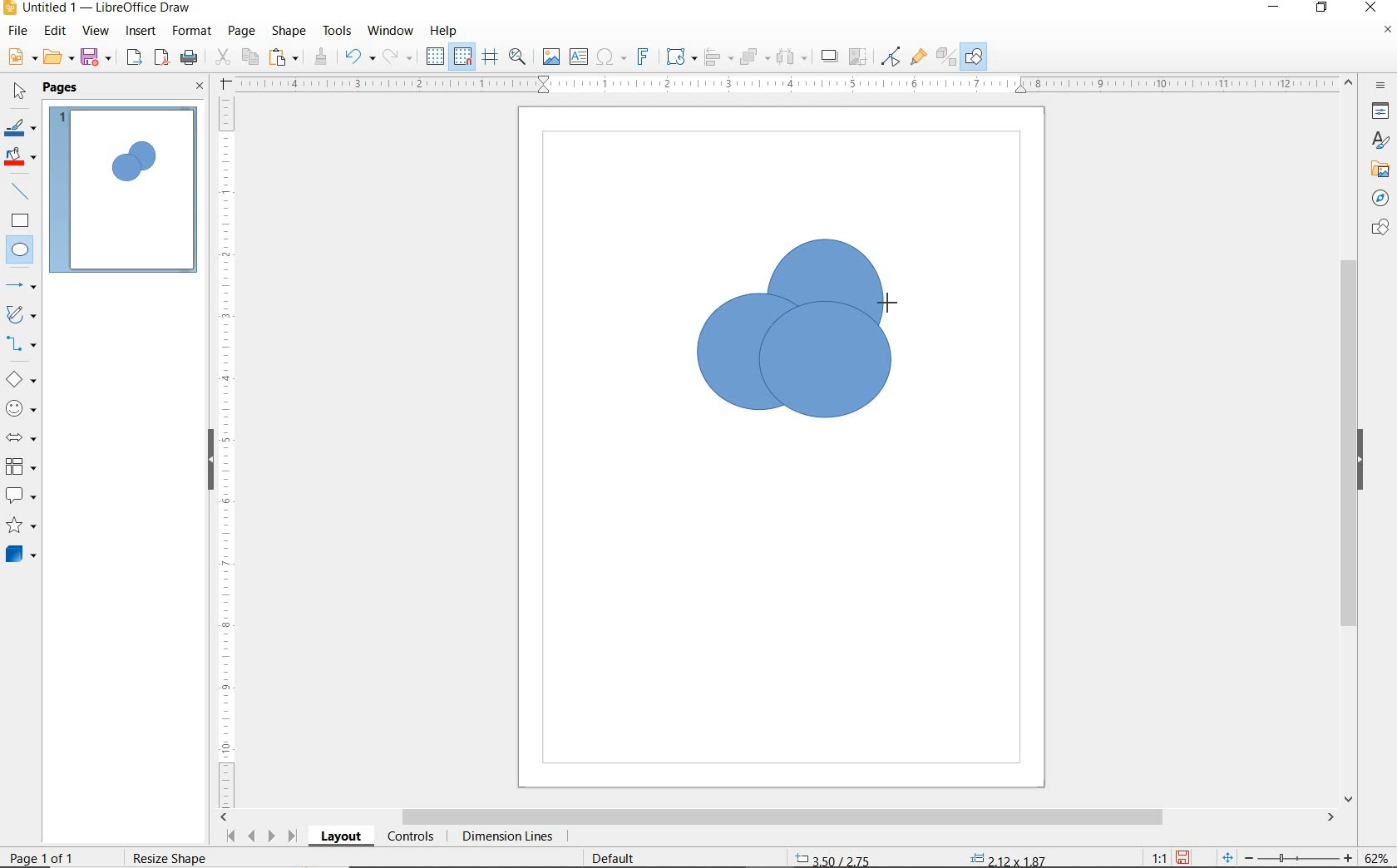 This screenshot has width=1397, height=868. What do you see at coordinates (1370, 6) in the screenshot?
I see `CLOSE` at bounding box center [1370, 6].